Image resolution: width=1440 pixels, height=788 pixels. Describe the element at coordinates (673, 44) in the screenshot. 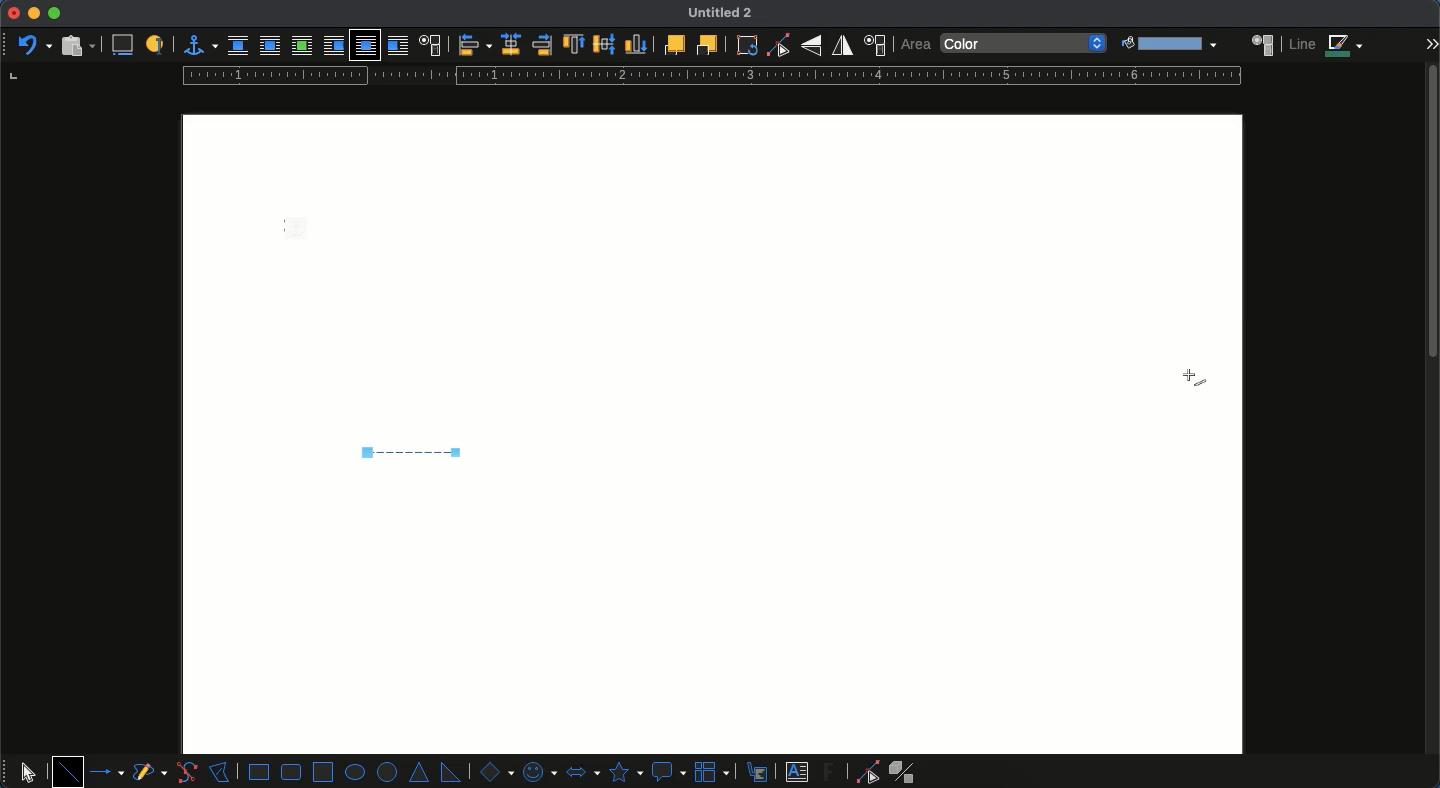

I see `front one` at that location.